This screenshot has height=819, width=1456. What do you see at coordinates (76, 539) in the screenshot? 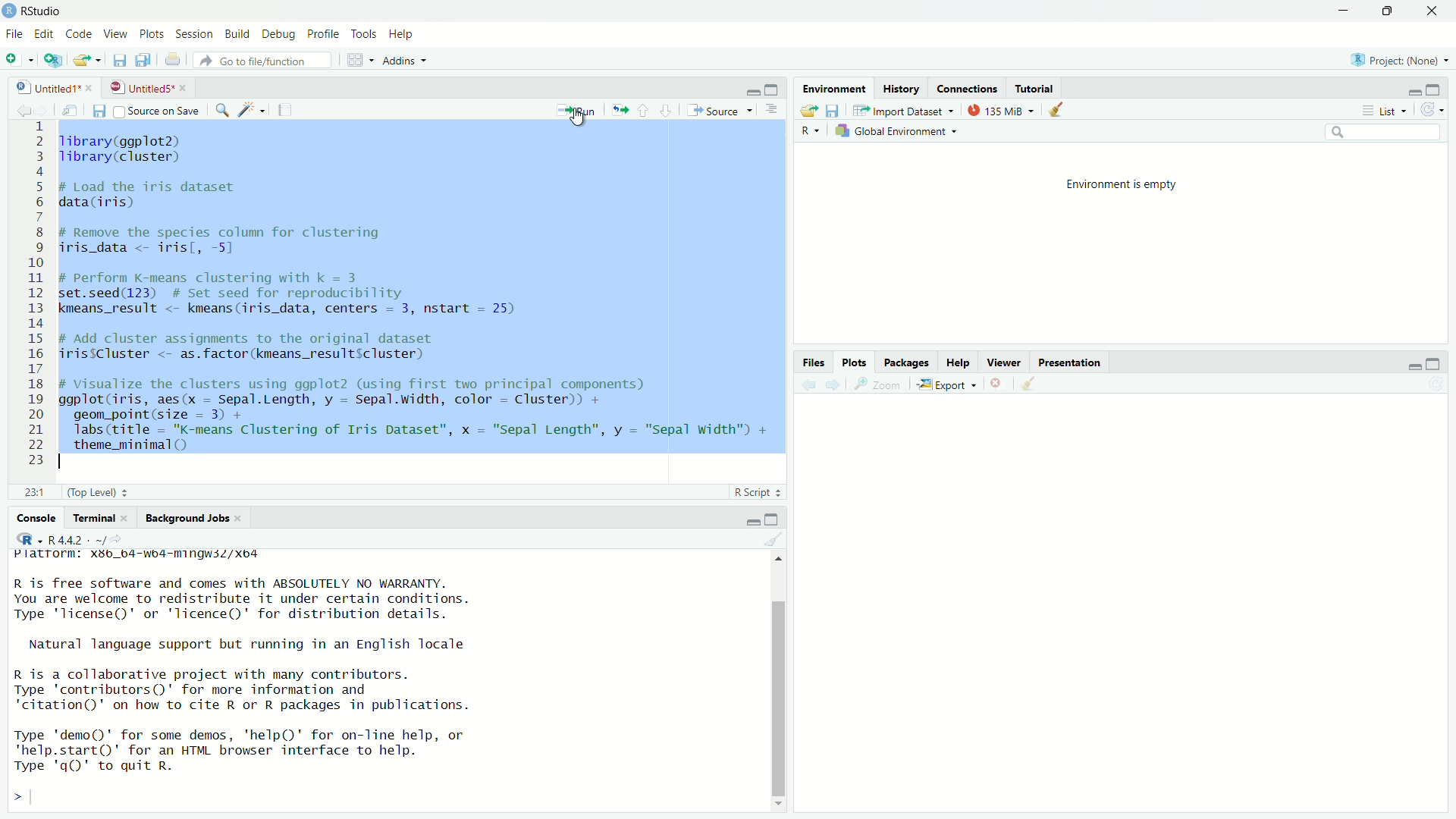
I see `R 4.4.2 . ~/` at bounding box center [76, 539].